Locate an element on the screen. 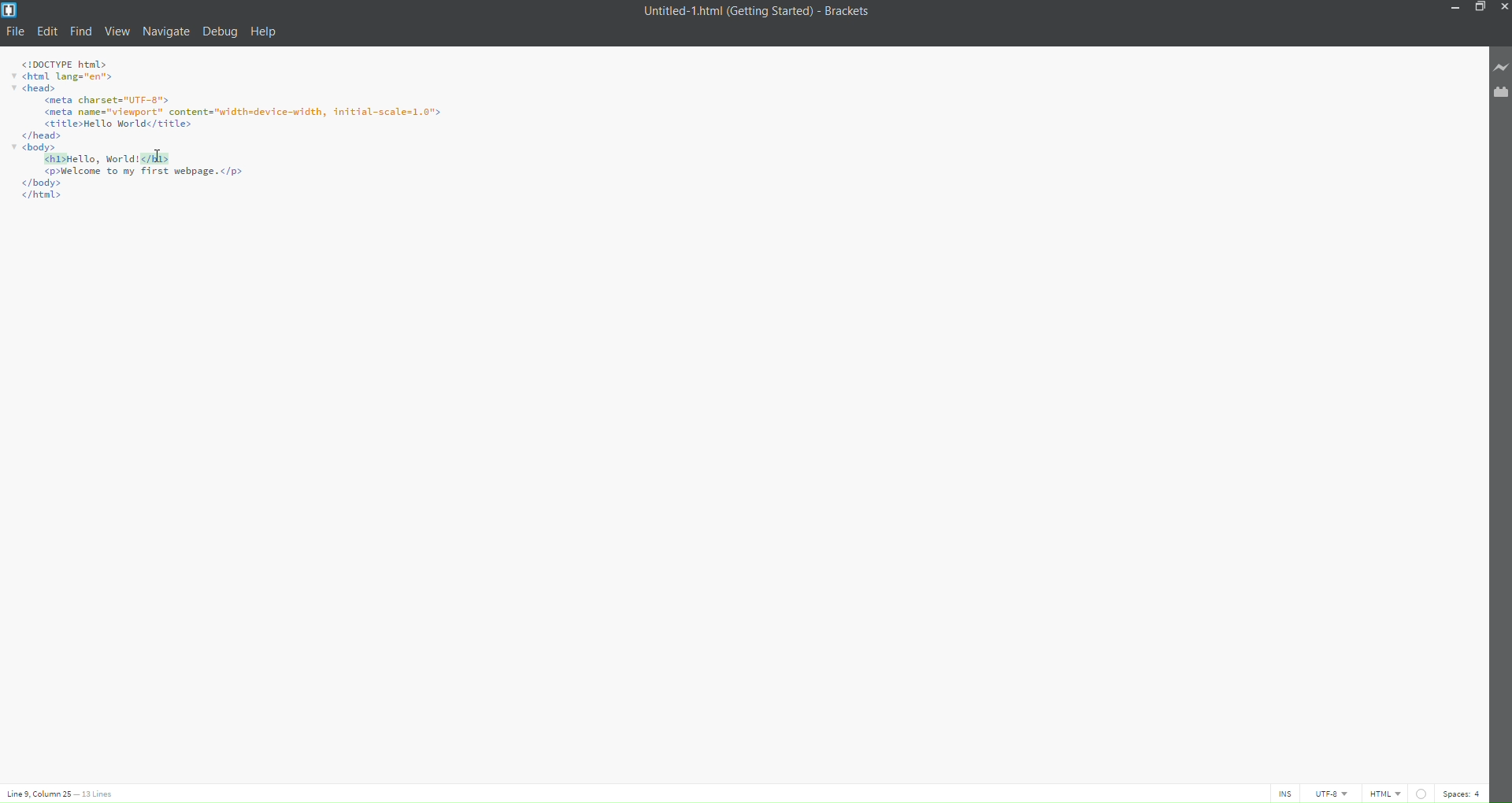  edit is located at coordinates (49, 31).